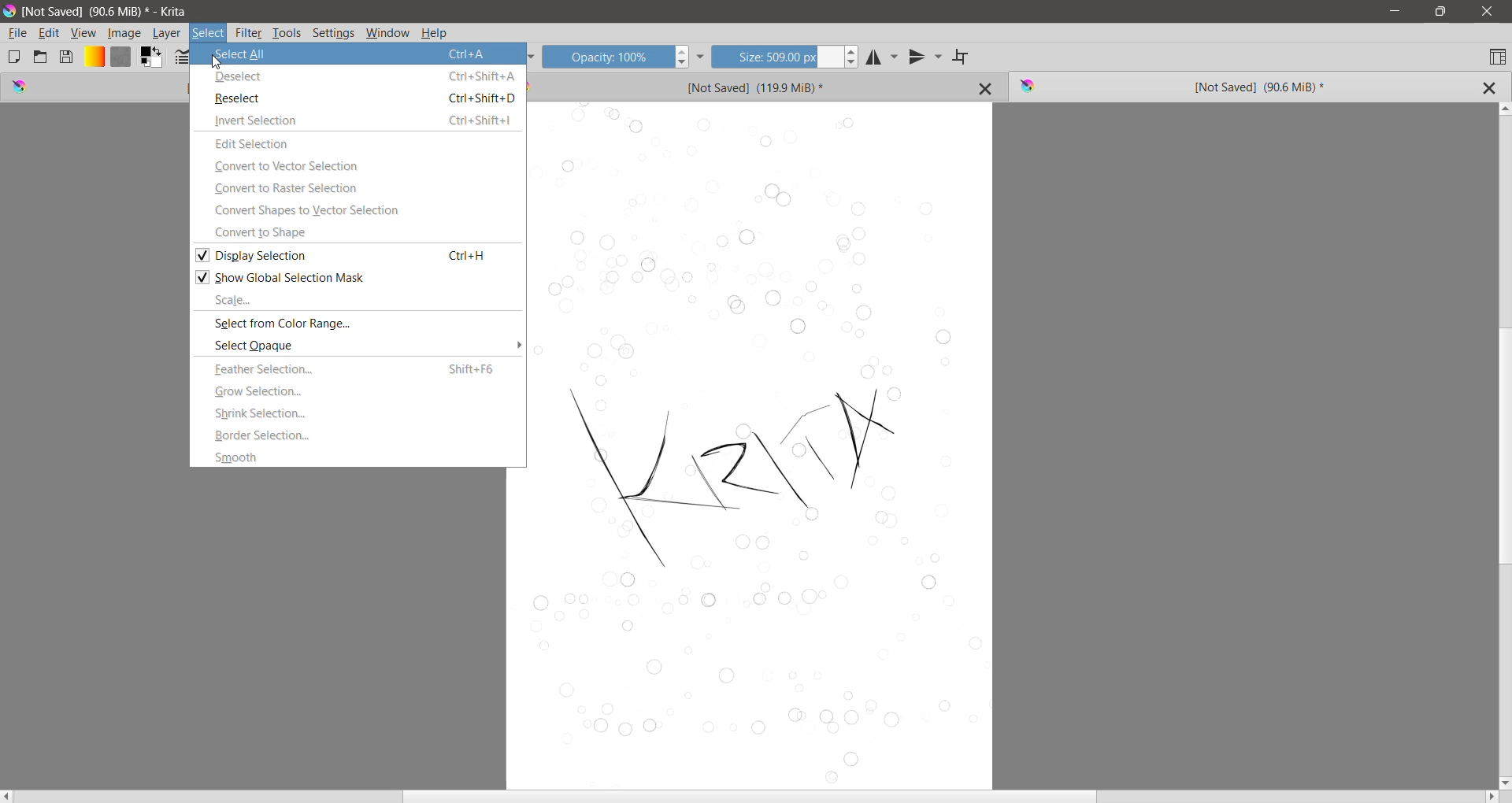 This screenshot has width=1512, height=803. Describe the element at coordinates (358, 77) in the screenshot. I see `Deselect` at that location.